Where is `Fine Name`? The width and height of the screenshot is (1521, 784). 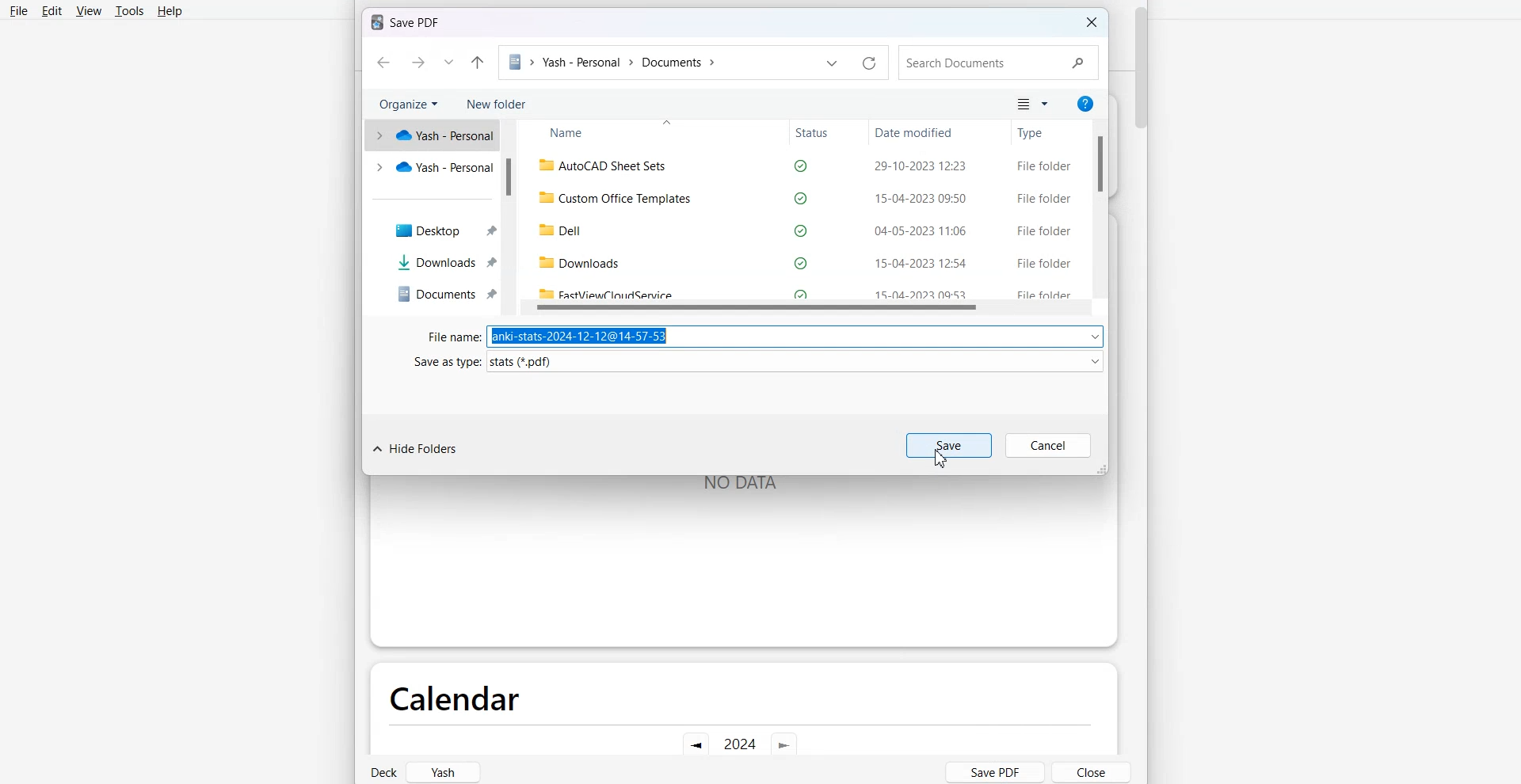
Fine Name is located at coordinates (449, 337).